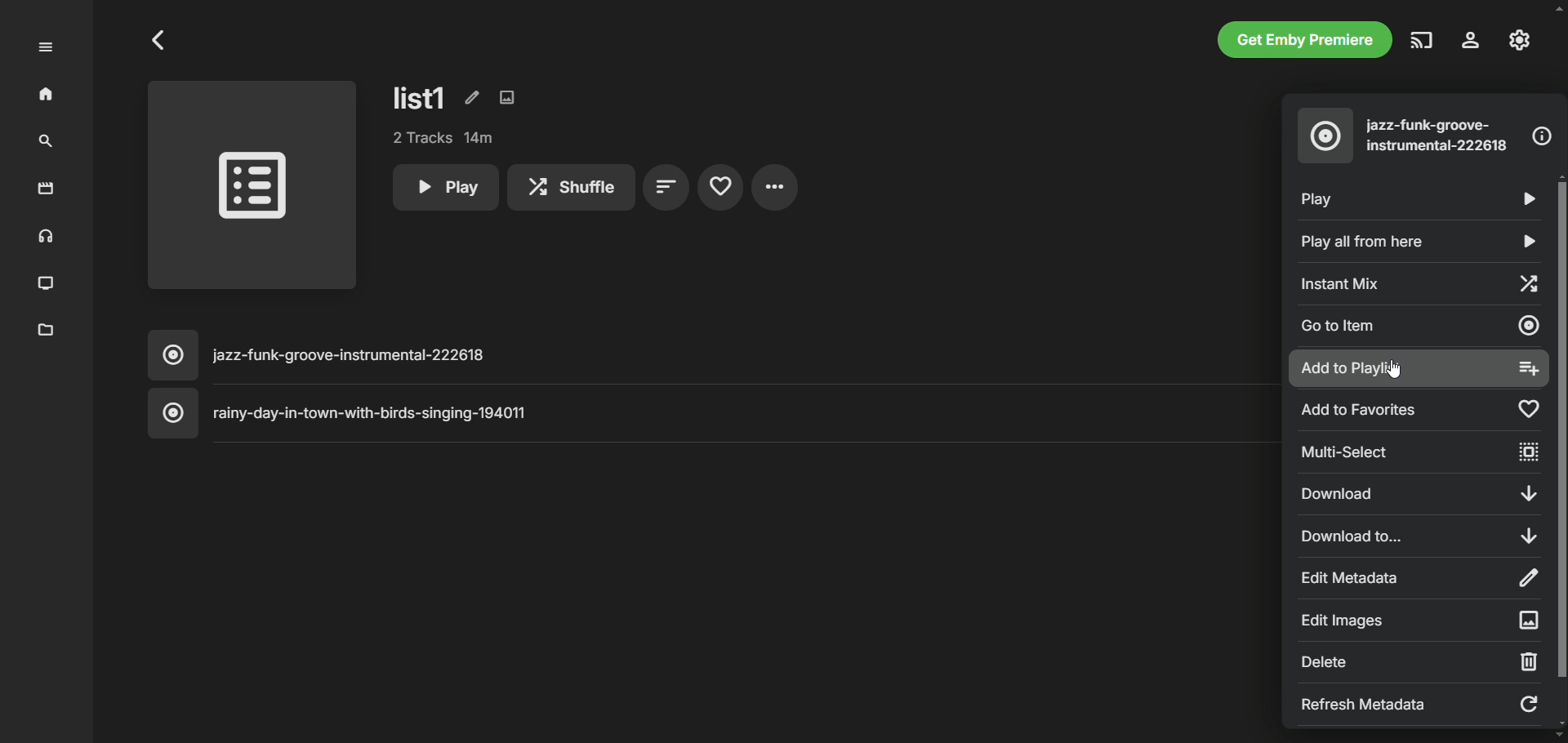  I want to click on tracks, so click(444, 138).